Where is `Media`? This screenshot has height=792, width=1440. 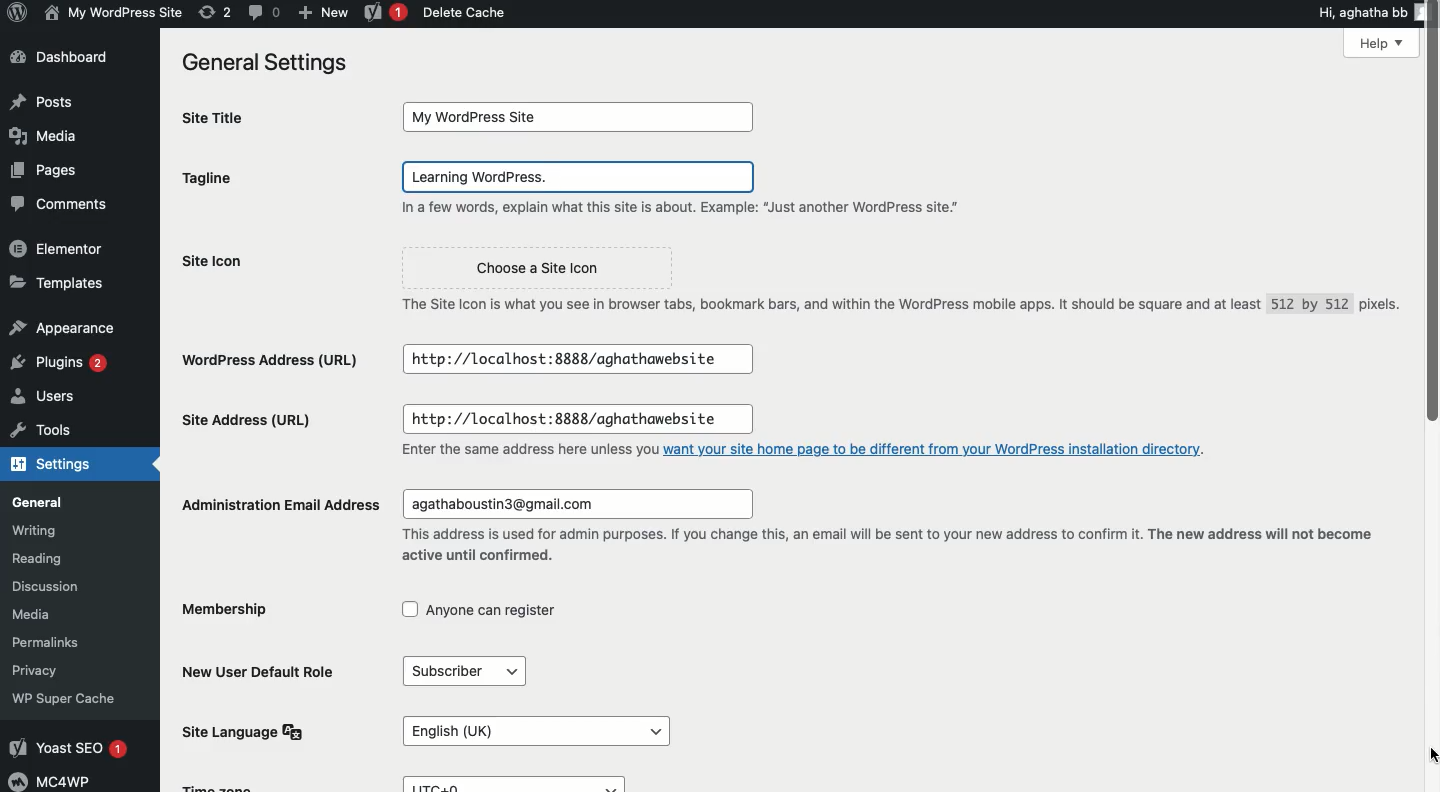 Media is located at coordinates (43, 615).